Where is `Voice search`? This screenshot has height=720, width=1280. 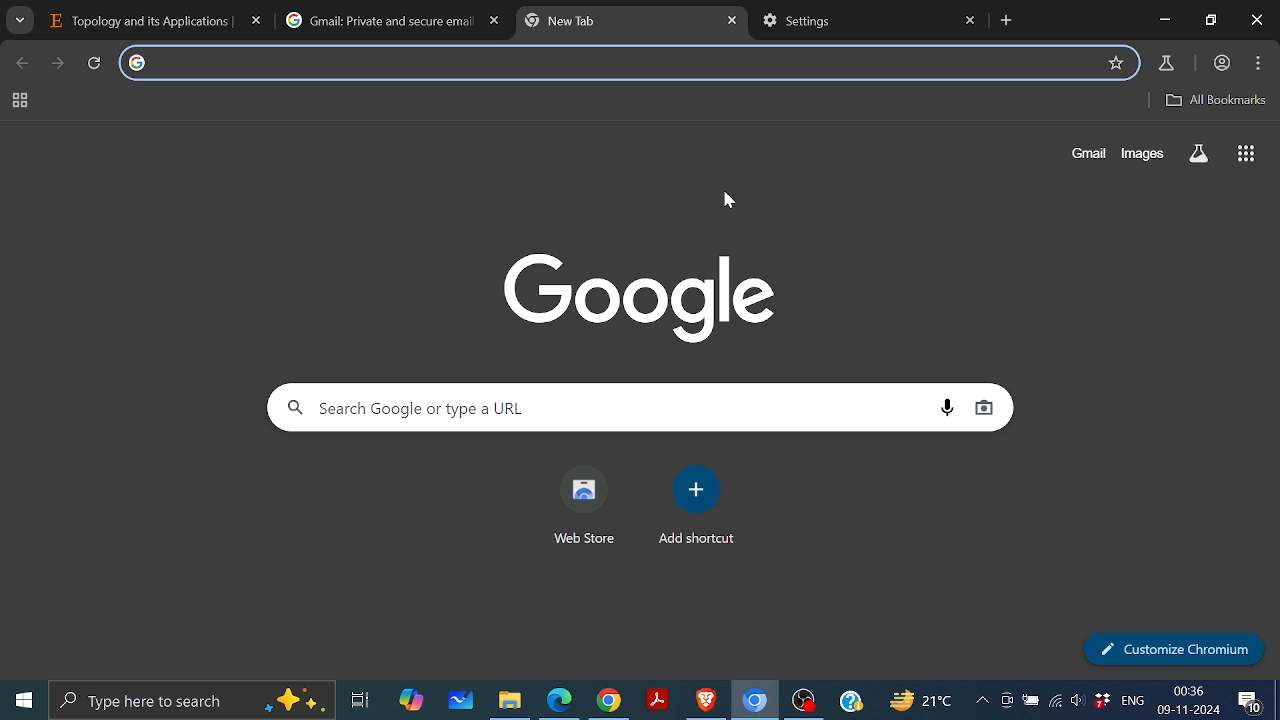 Voice search is located at coordinates (944, 409).